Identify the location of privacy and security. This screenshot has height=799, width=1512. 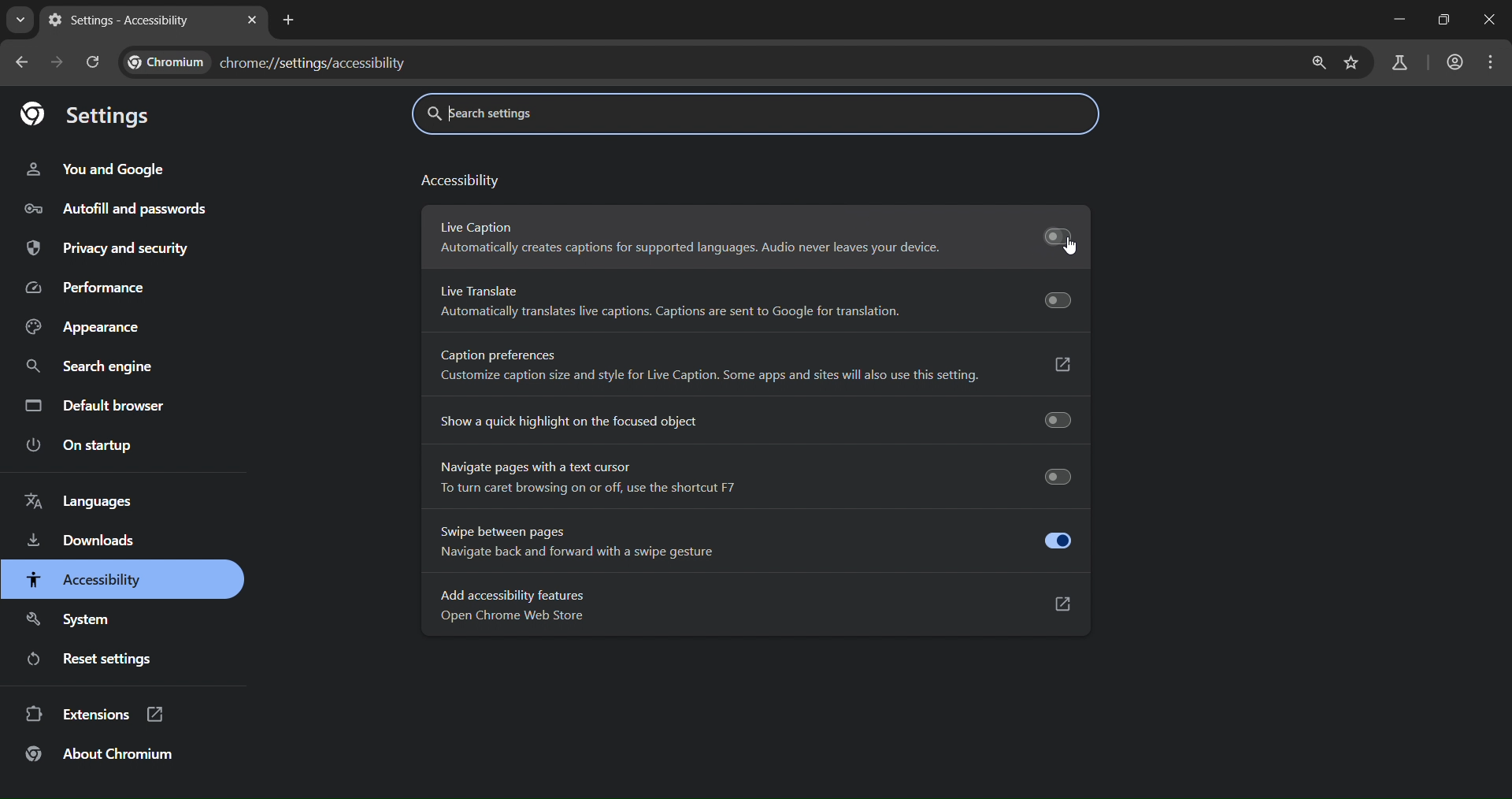
(106, 249).